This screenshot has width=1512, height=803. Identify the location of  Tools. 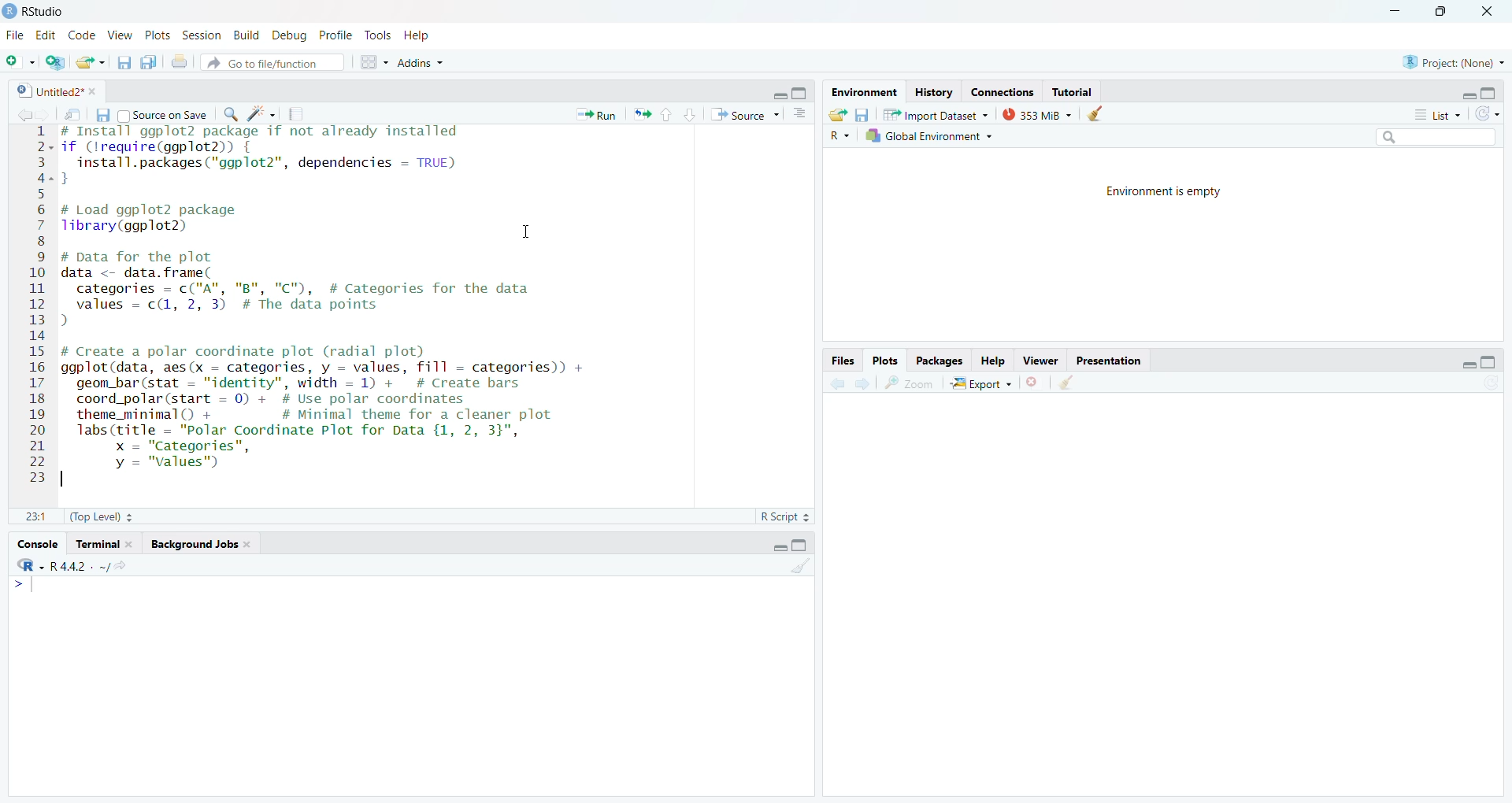
(376, 36).